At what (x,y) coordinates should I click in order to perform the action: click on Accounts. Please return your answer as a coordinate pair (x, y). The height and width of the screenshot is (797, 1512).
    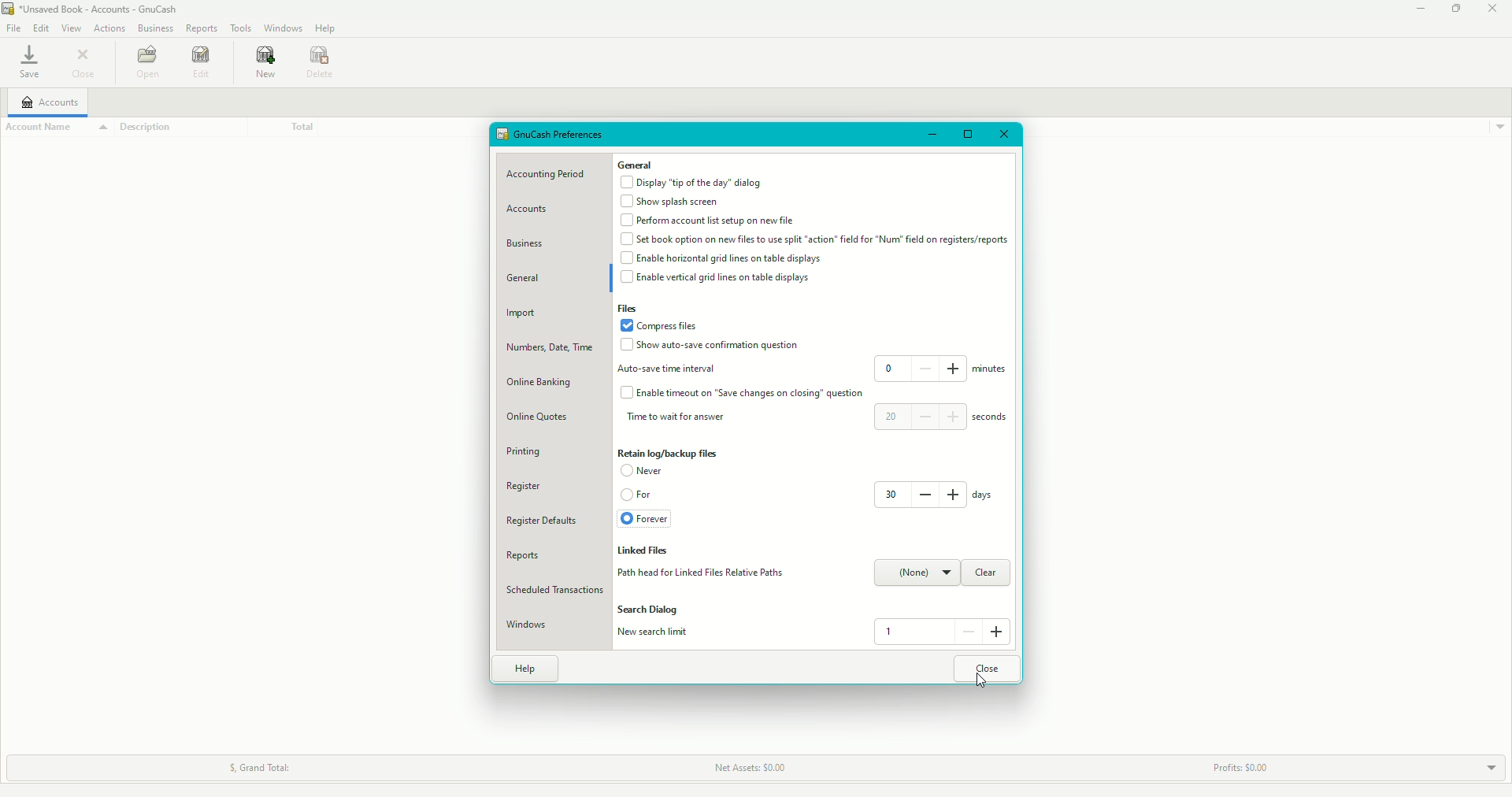
    Looking at the image, I should click on (531, 209).